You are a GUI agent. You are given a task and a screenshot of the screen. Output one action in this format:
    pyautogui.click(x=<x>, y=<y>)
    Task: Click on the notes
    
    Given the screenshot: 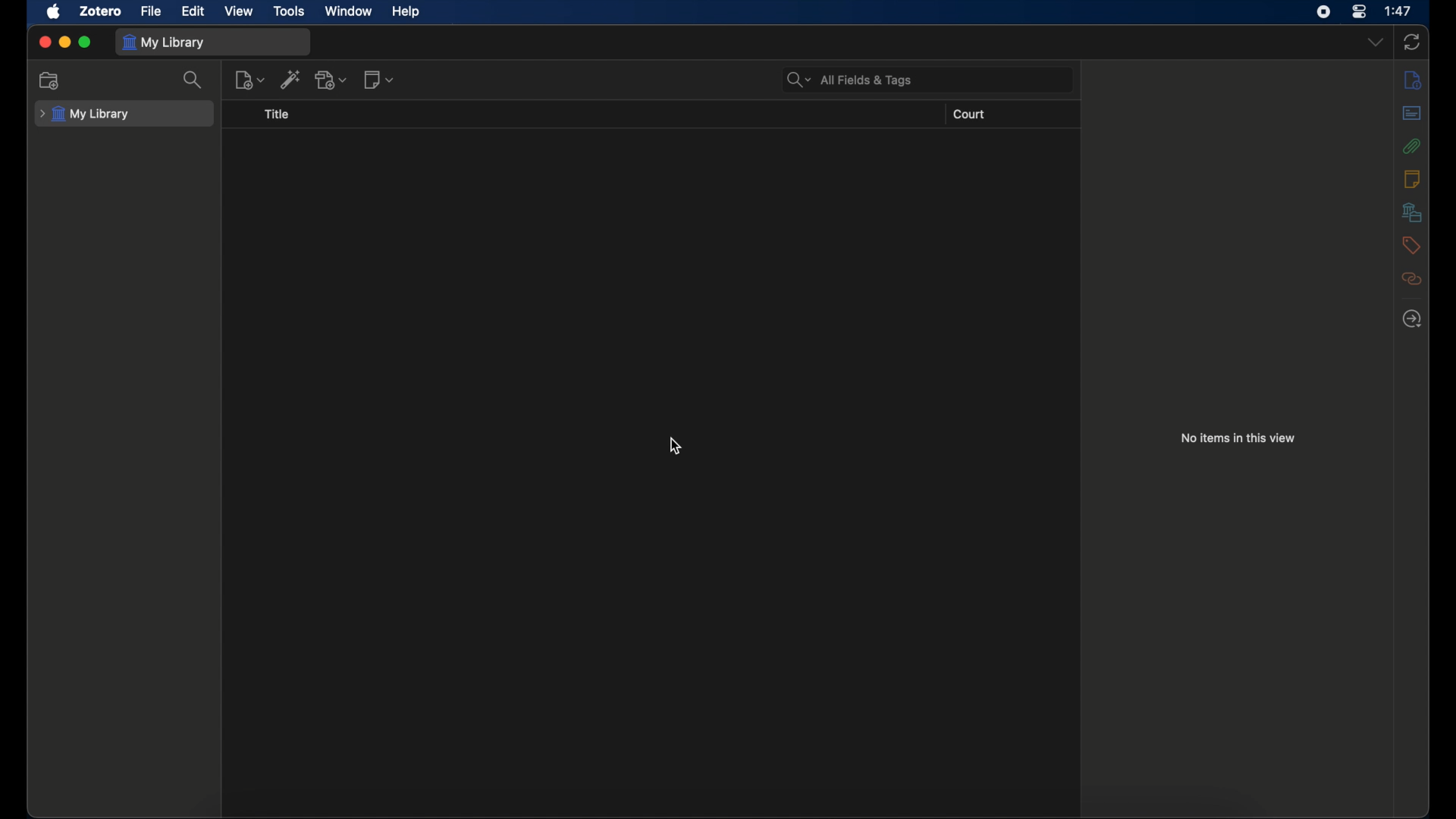 What is the action you would take?
    pyautogui.click(x=1410, y=178)
    